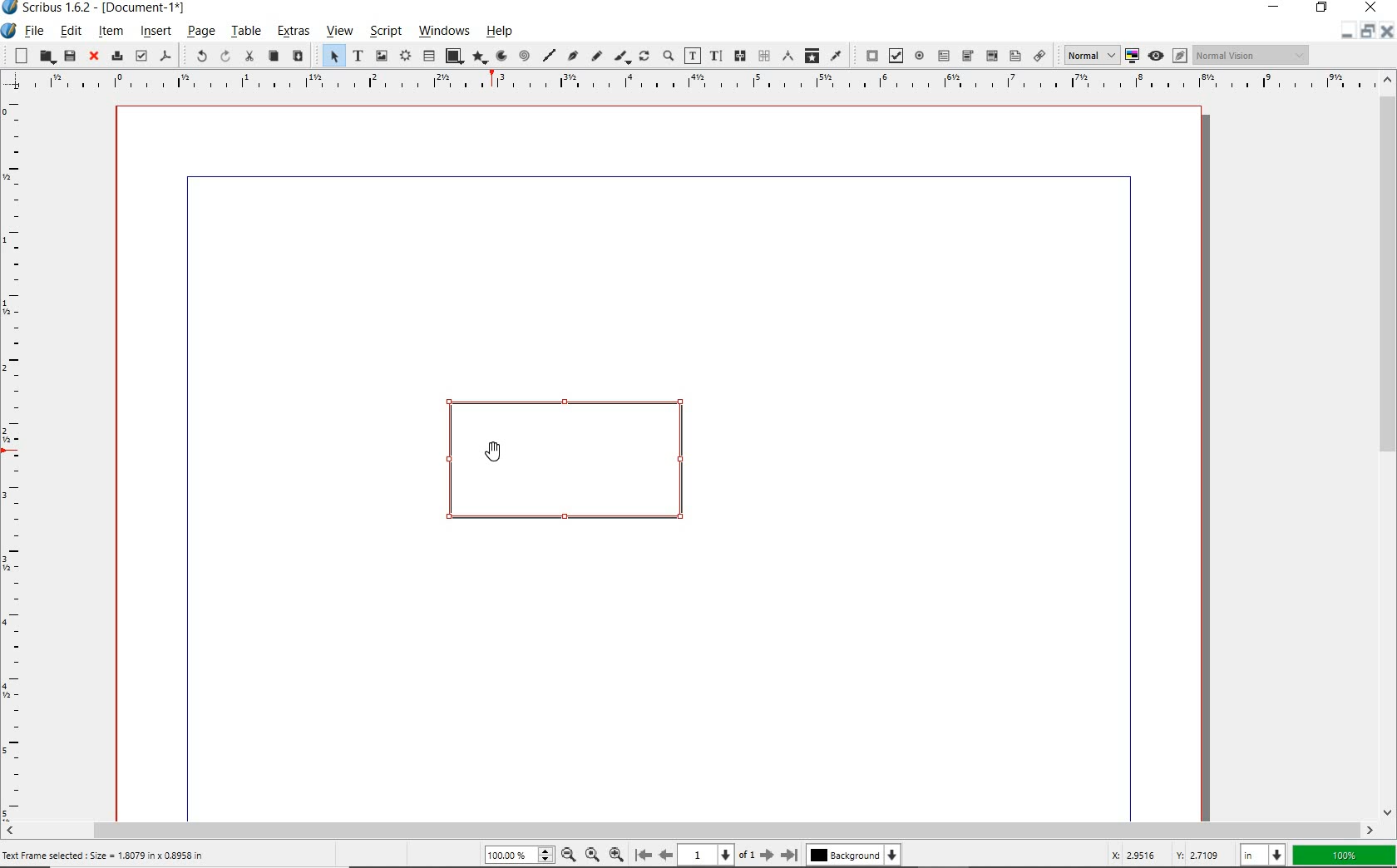 The width and height of the screenshot is (1397, 868). I want to click on Zoom In, so click(616, 856).